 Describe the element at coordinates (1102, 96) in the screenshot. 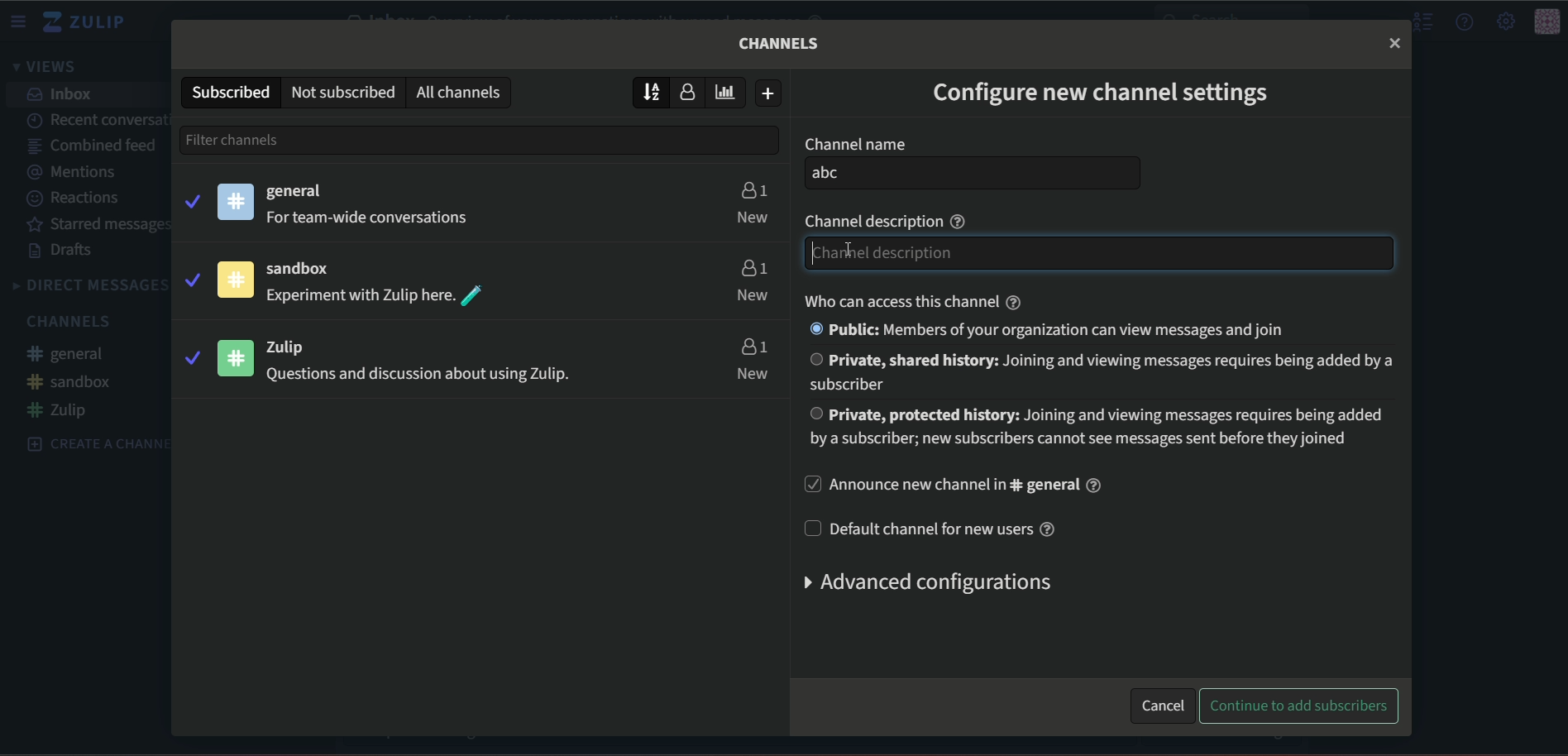

I see `configure channel settings` at that location.